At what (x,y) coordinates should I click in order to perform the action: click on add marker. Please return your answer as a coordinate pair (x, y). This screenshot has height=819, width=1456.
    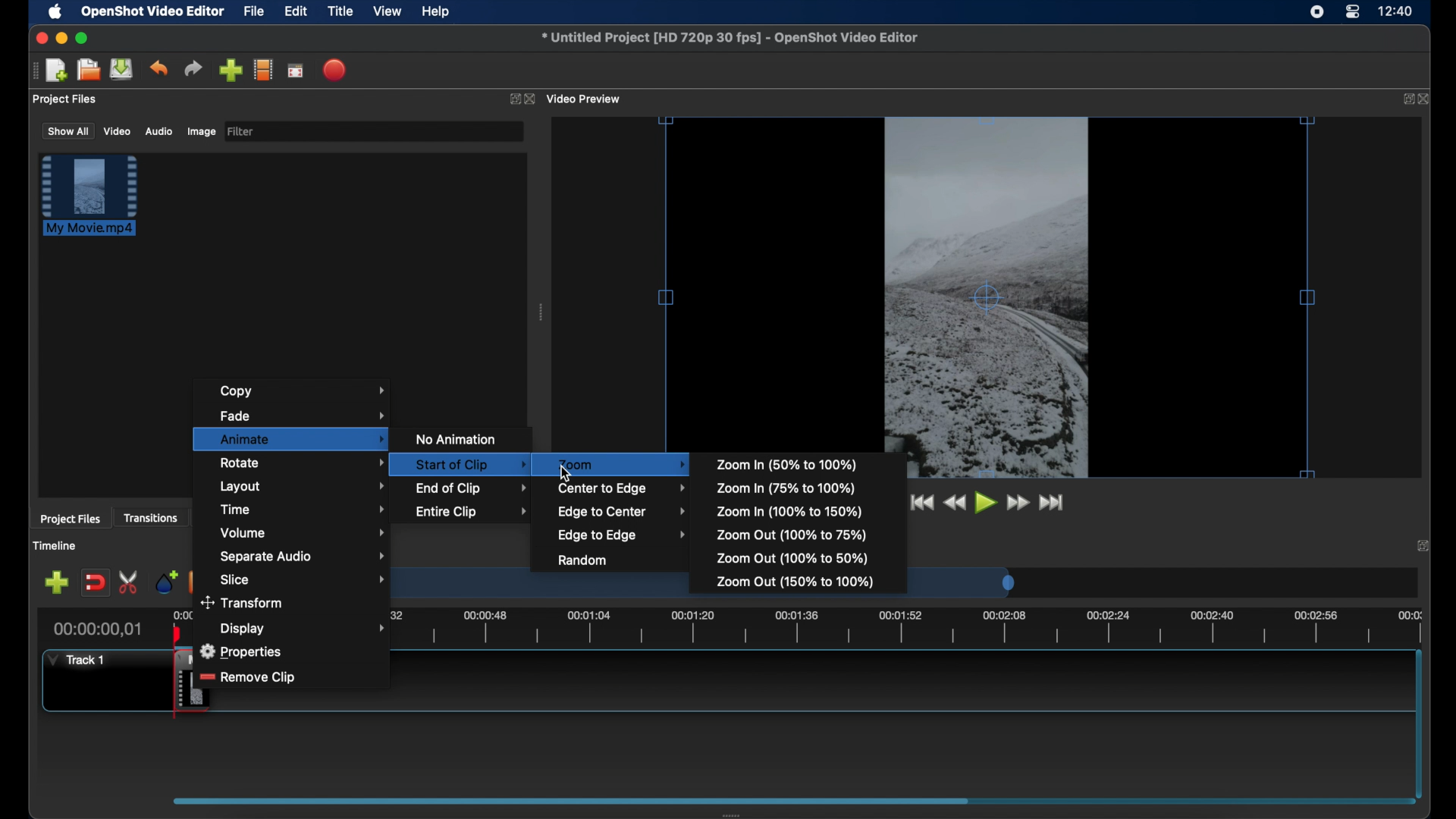
    Looking at the image, I should click on (165, 581).